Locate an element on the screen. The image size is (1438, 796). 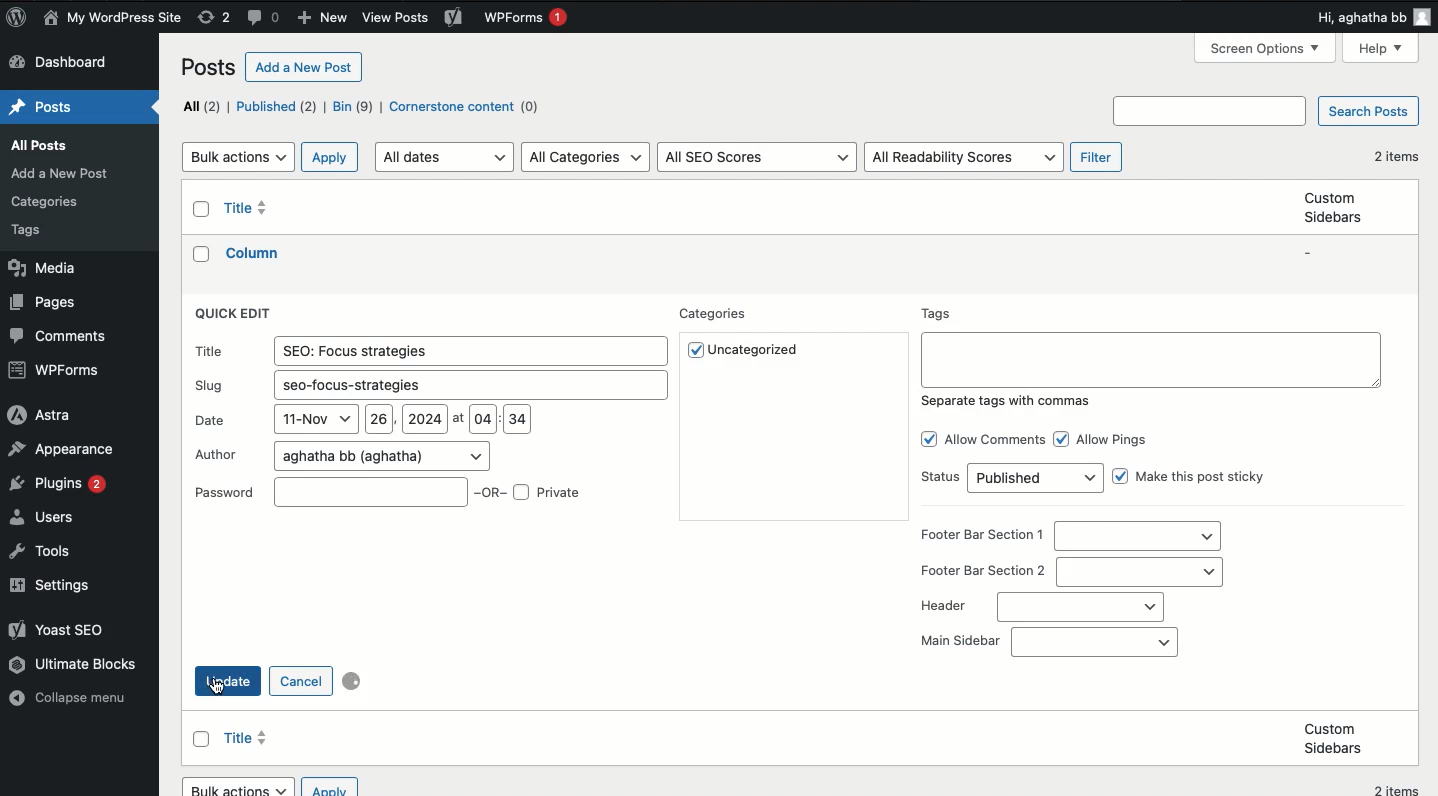
header is located at coordinates (1080, 607).